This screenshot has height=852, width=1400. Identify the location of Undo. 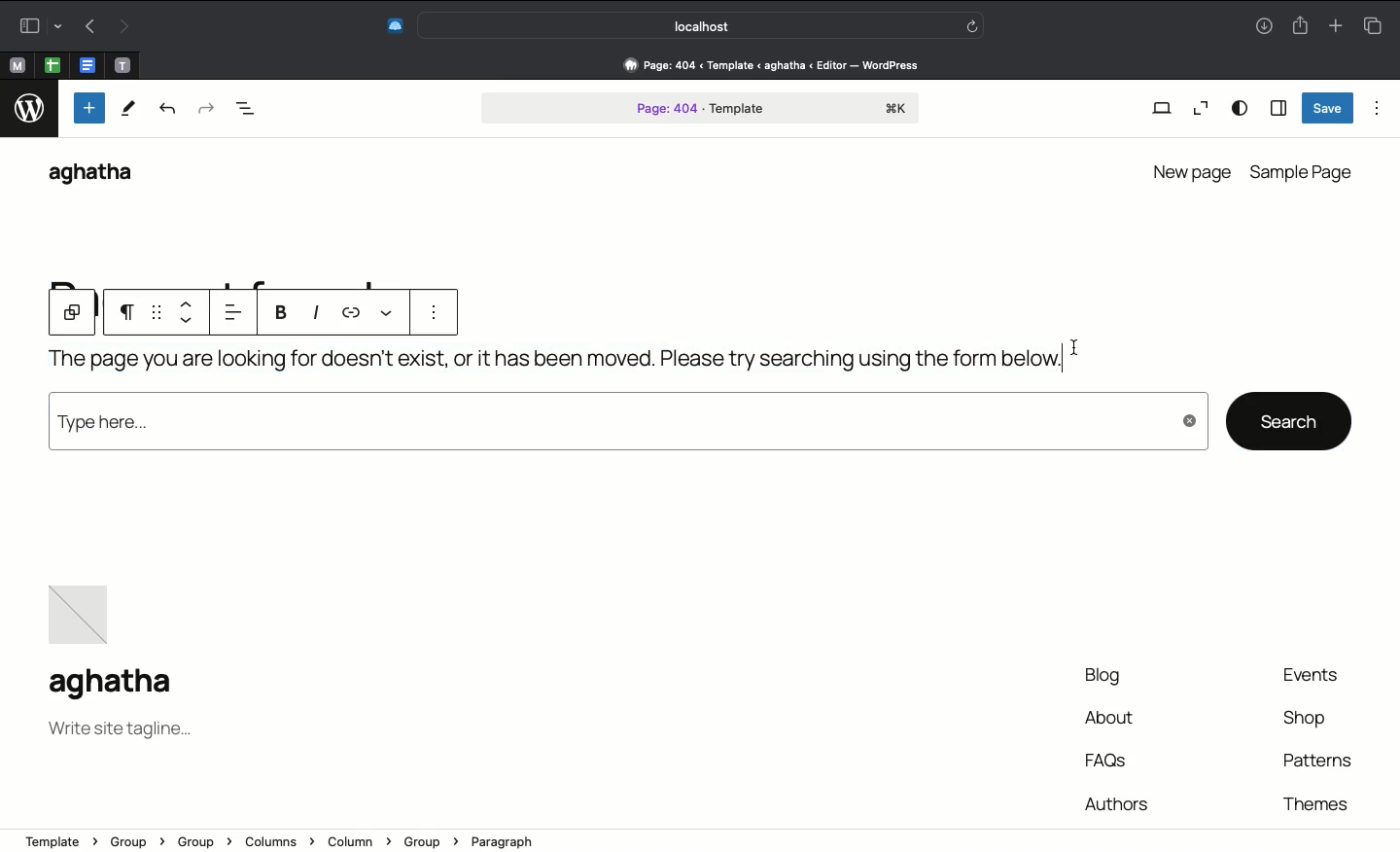
(169, 112).